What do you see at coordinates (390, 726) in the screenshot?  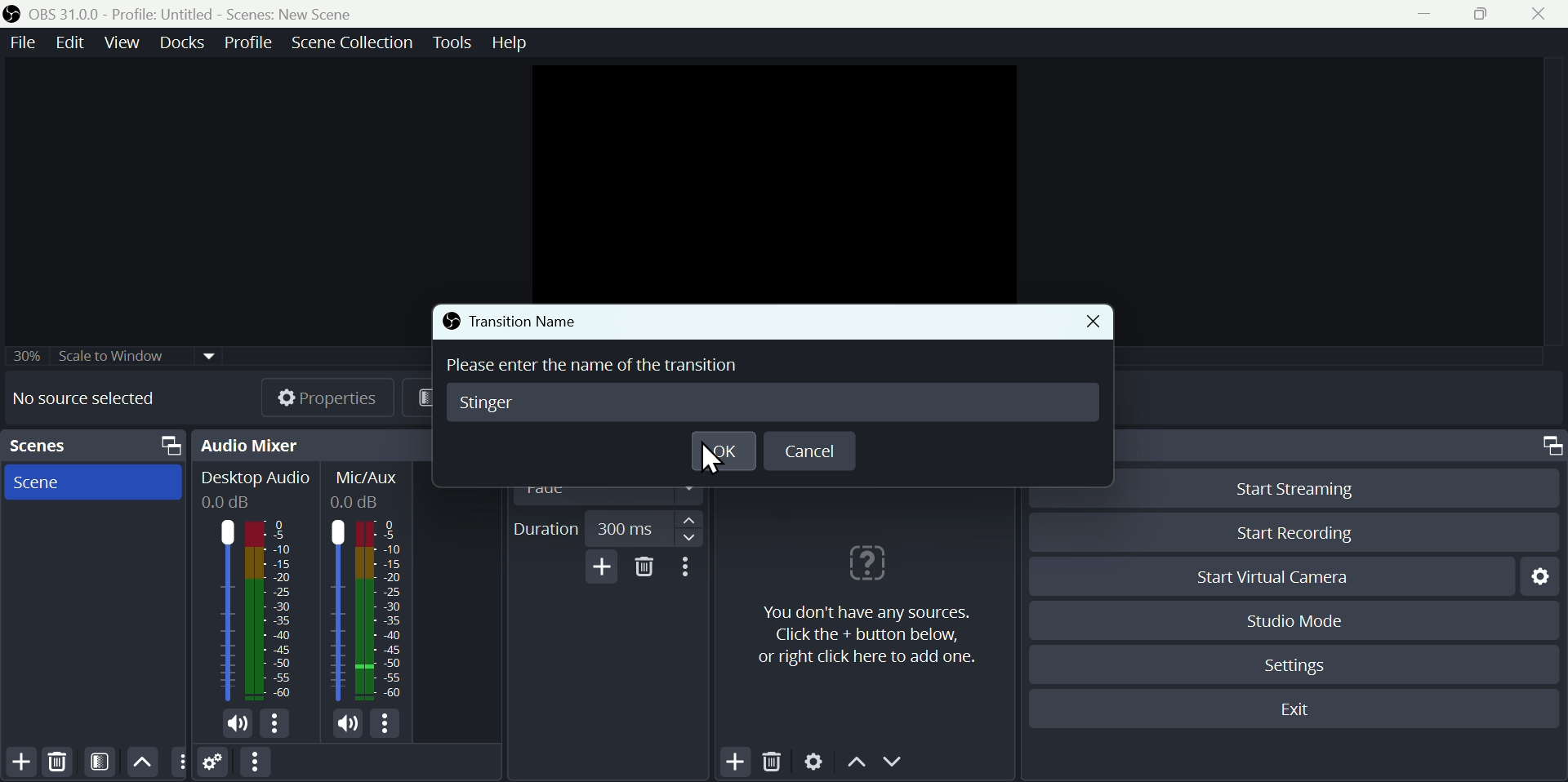 I see `more options` at bounding box center [390, 726].